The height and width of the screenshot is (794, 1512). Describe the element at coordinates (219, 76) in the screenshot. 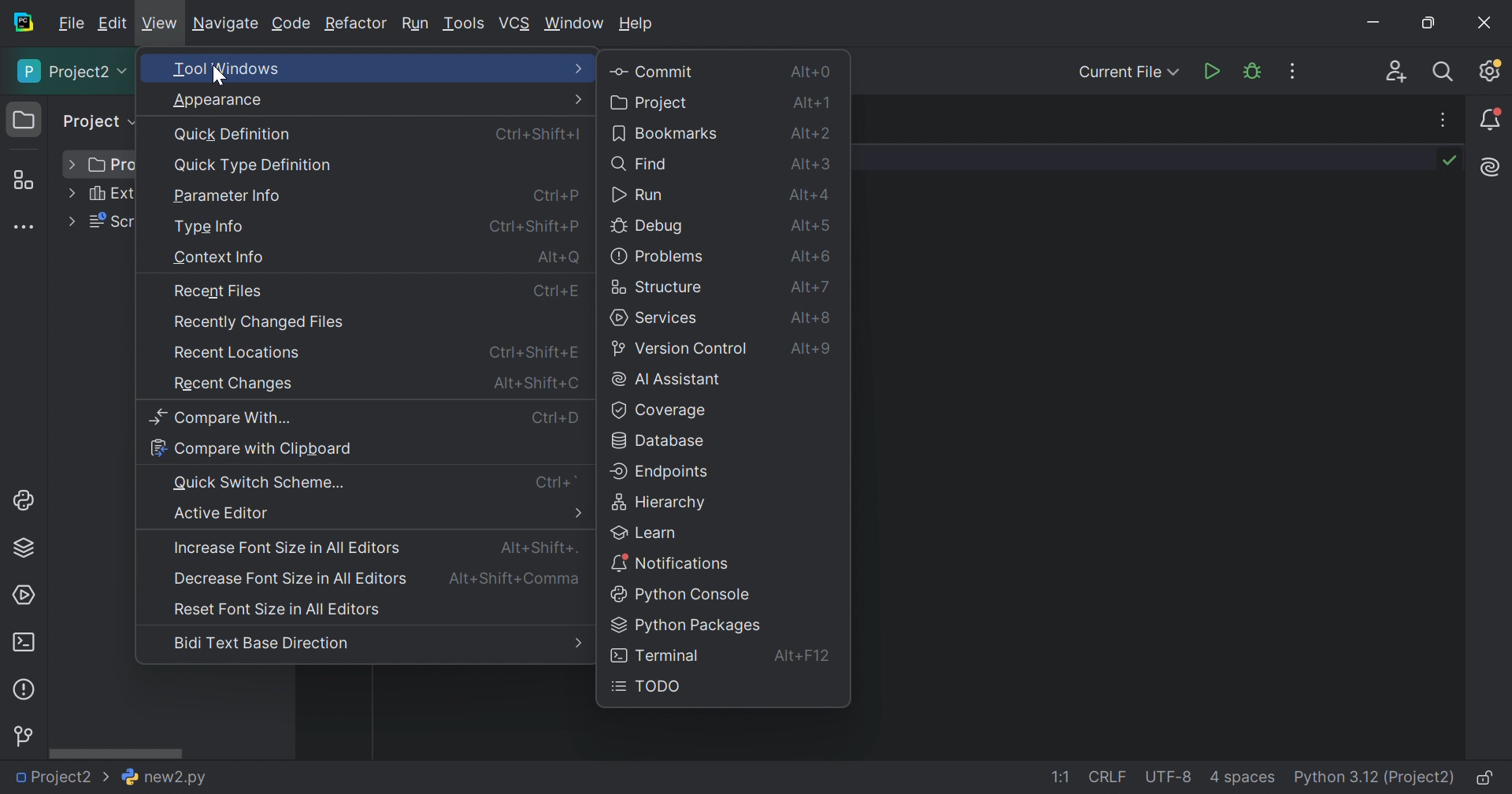

I see `cursor` at that location.